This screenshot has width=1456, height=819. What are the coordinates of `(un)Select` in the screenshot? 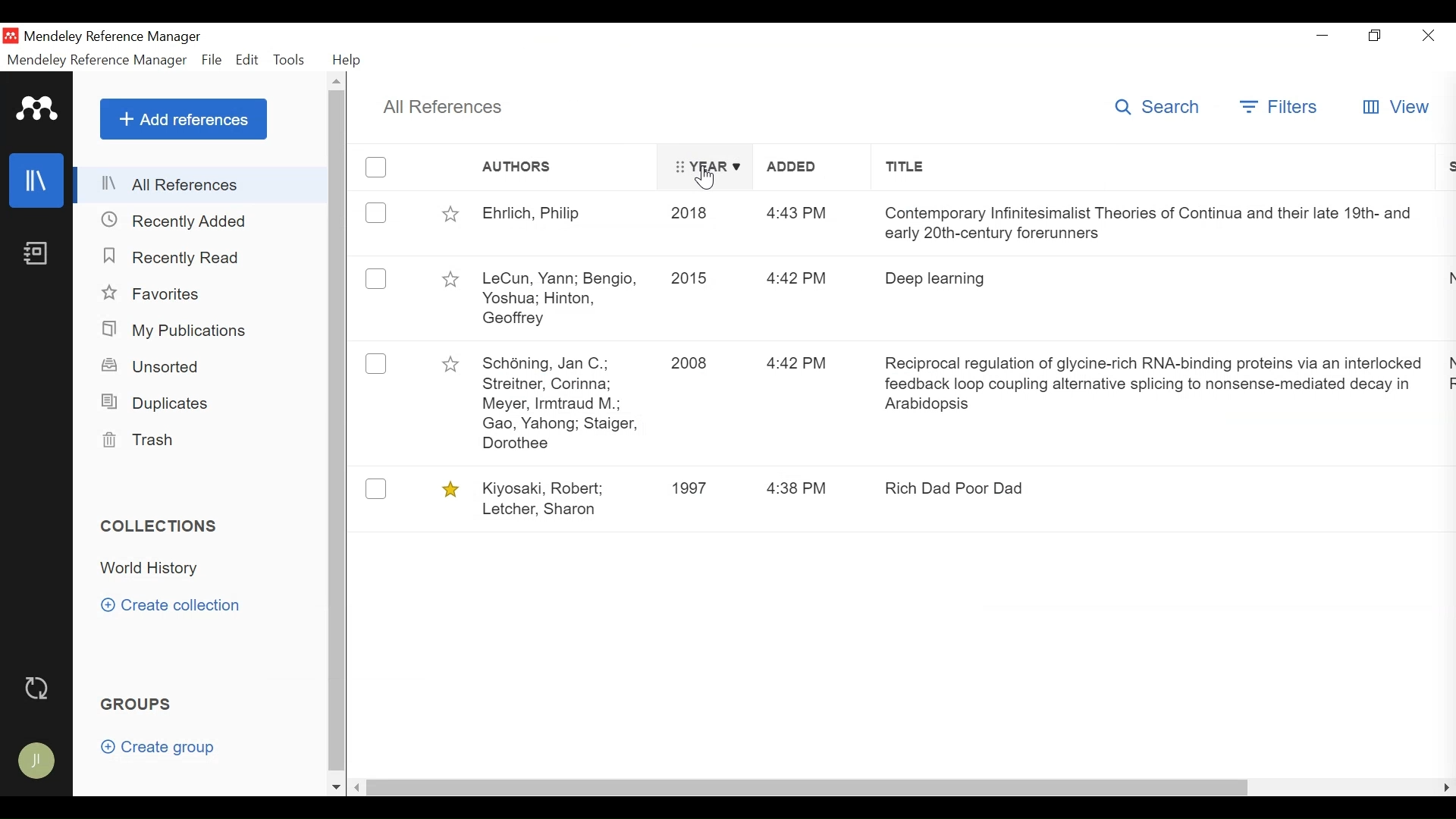 It's located at (375, 280).